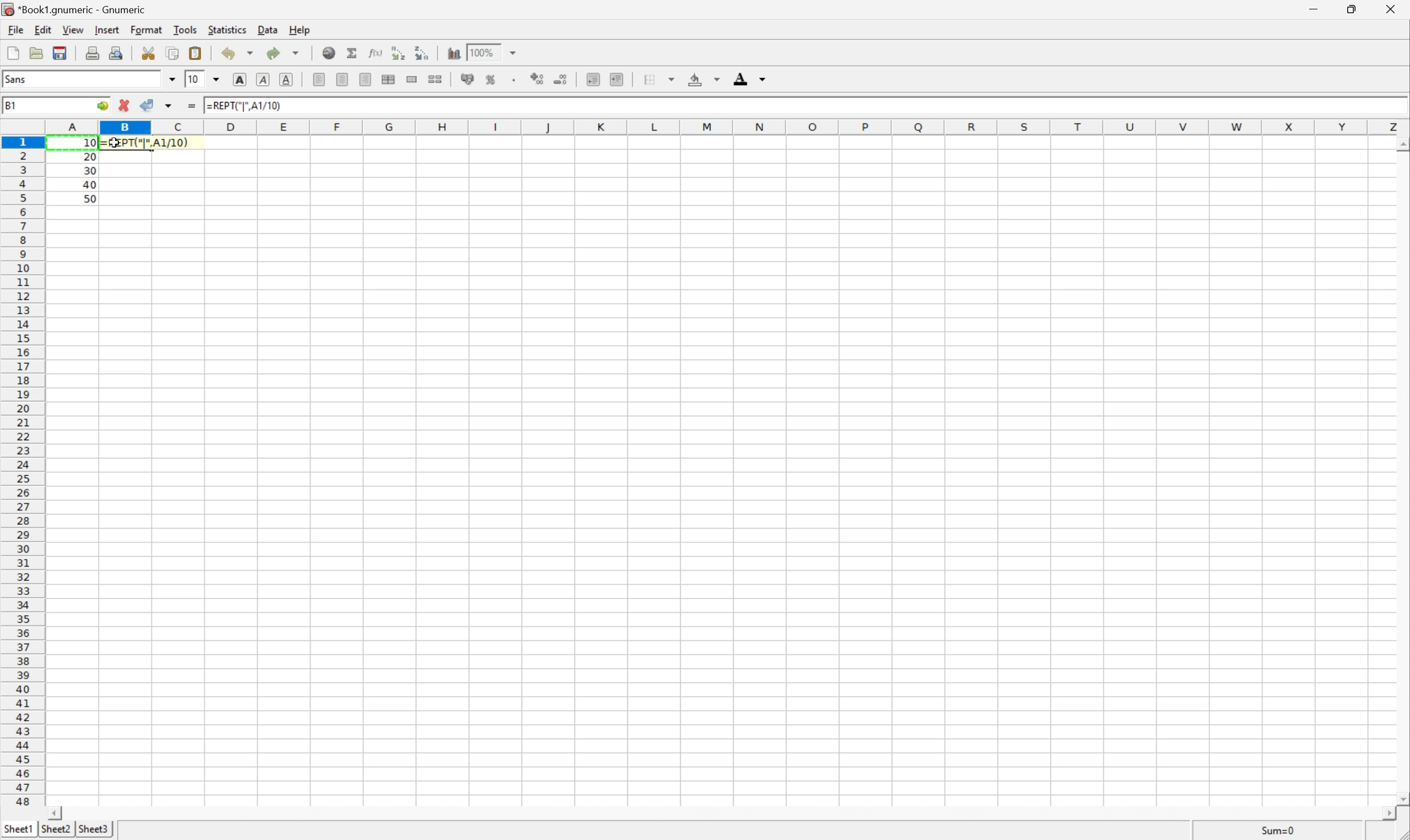 Image resolution: width=1410 pixels, height=840 pixels. Describe the element at coordinates (91, 170) in the screenshot. I see `30` at that location.